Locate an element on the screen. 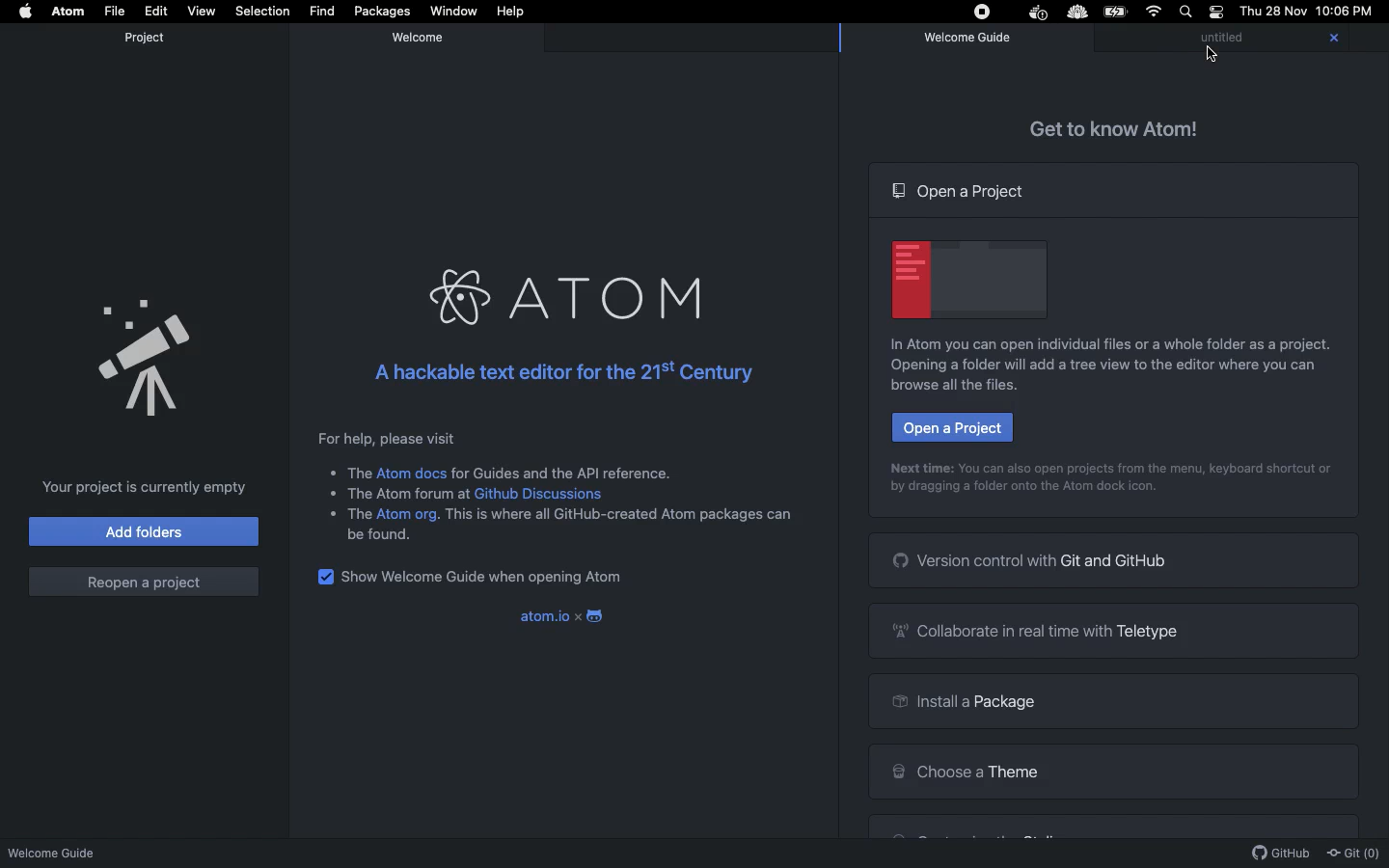 Image resolution: width=1389 pixels, height=868 pixels. Project is located at coordinates (145, 38).